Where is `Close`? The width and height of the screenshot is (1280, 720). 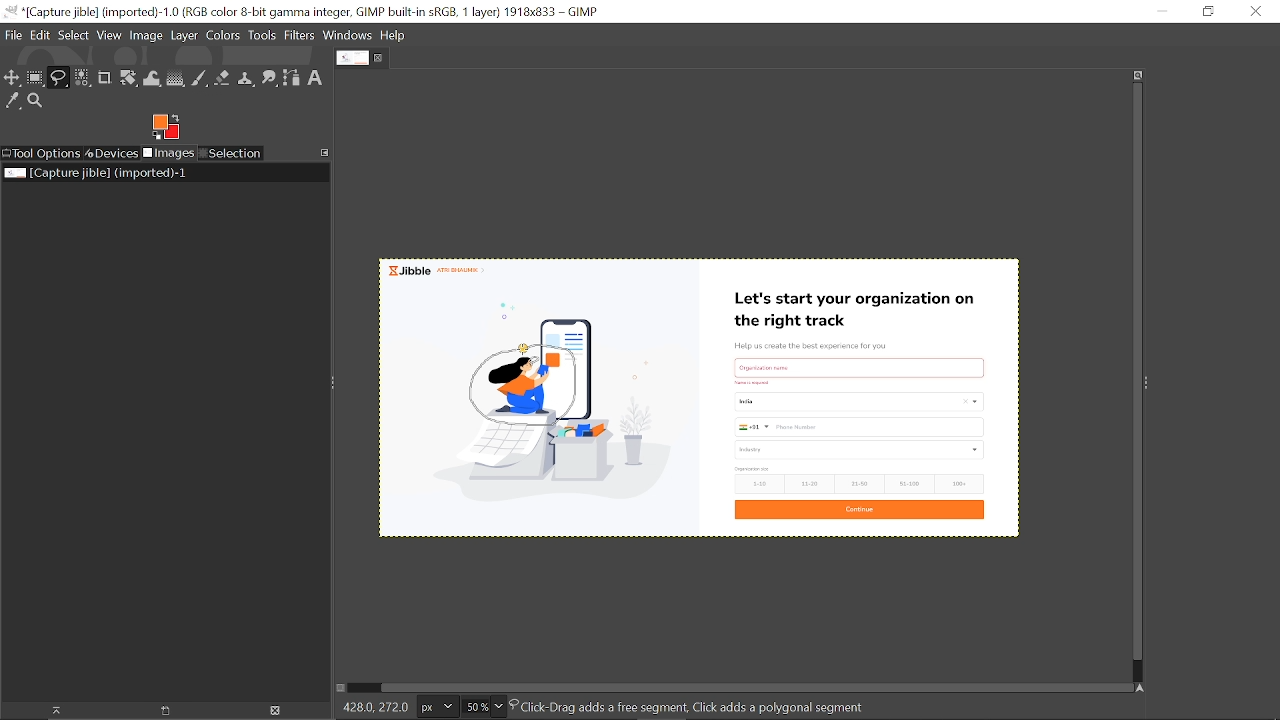 Close is located at coordinates (1256, 11).